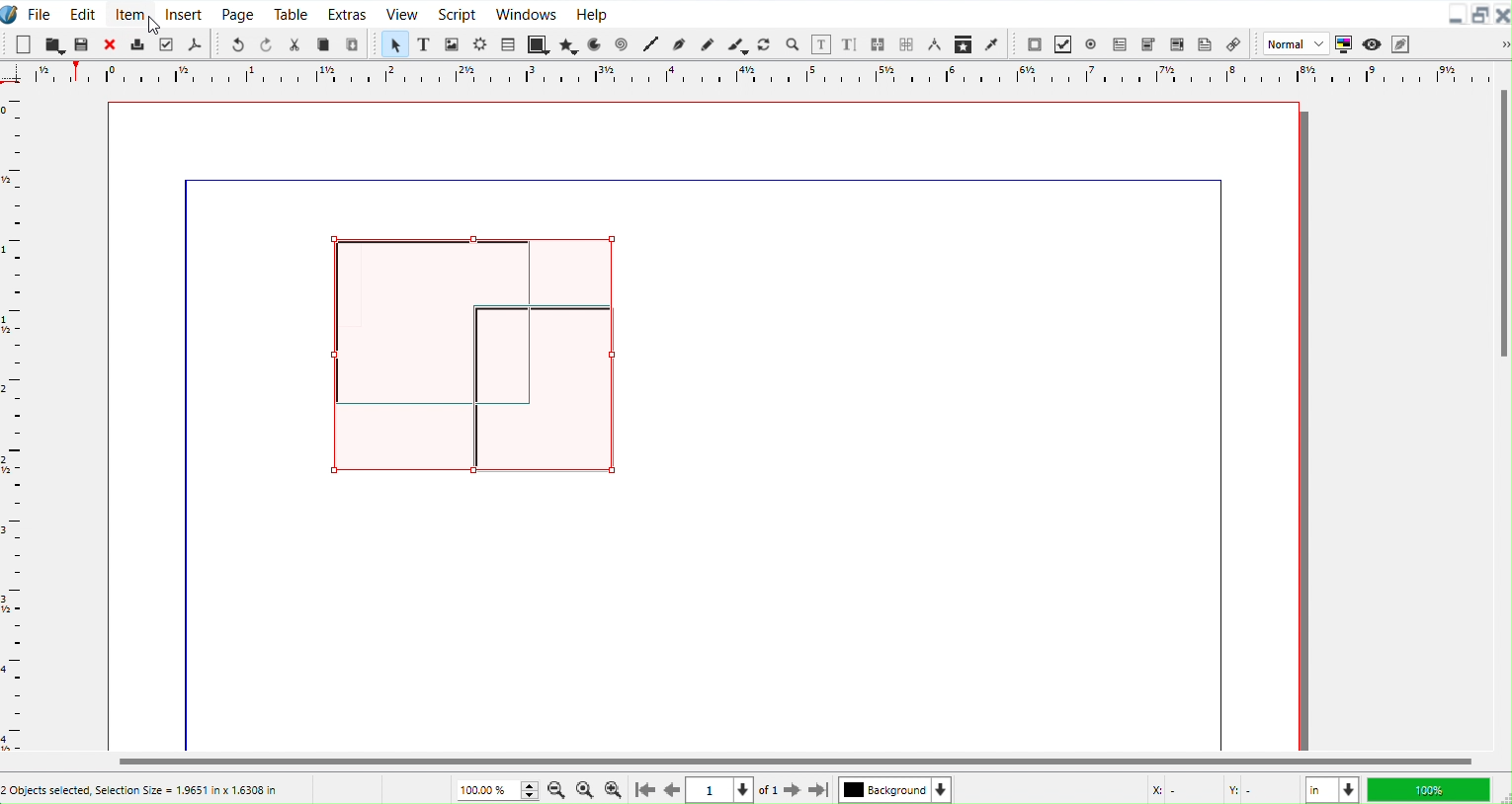 This screenshot has height=804, width=1512. I want to click on Zoom in or Out, so click(792, 44).